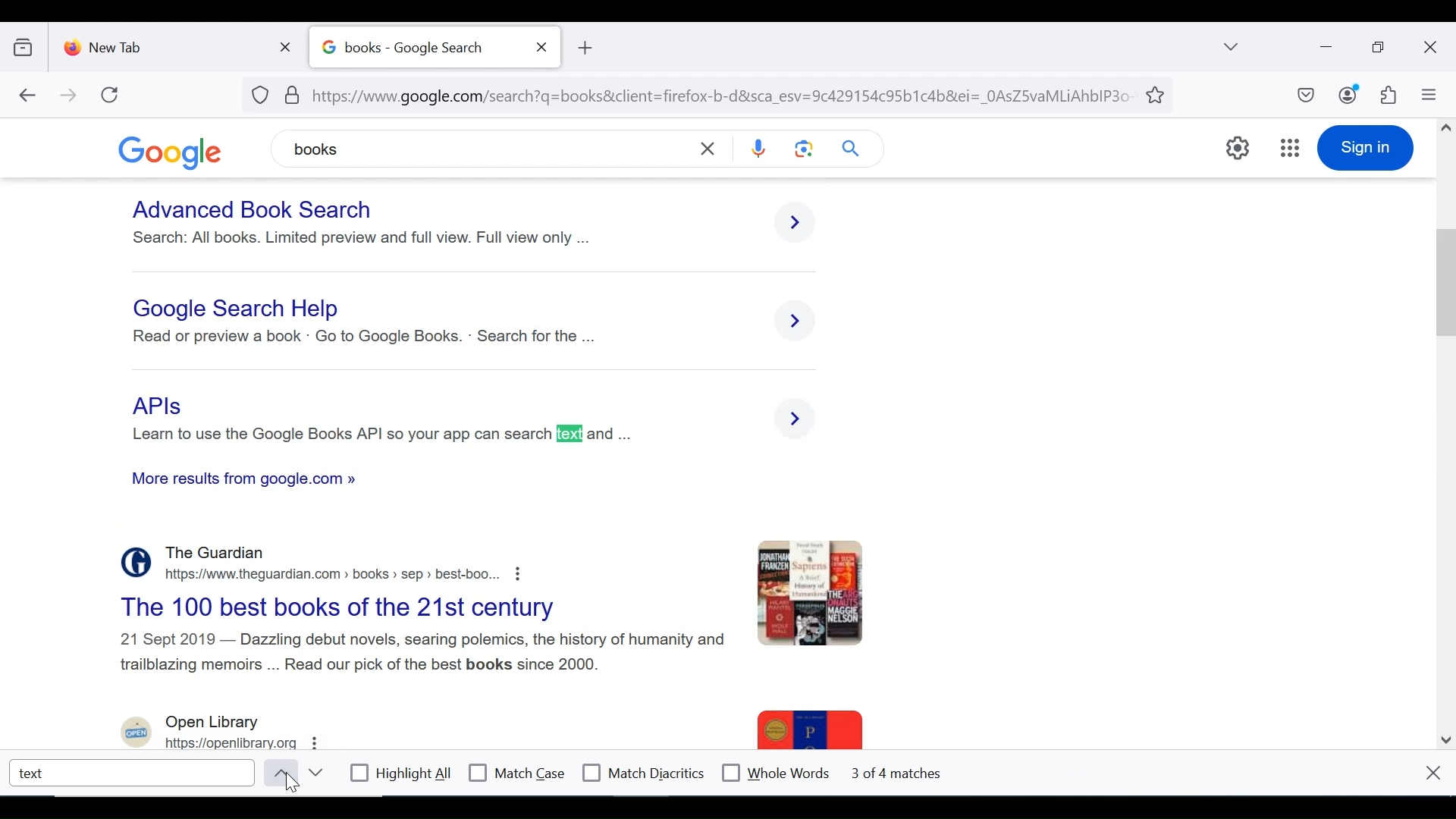  Describe the element at coordinates (402, 775) in the screenshot. I see `highlight all` at that location.